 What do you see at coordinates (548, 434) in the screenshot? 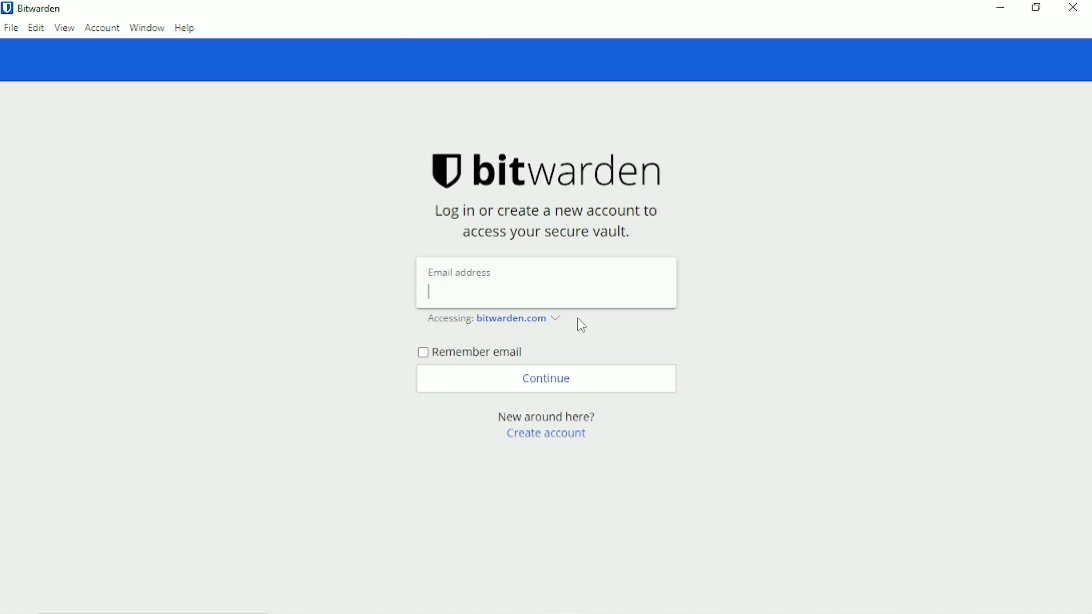
I see `Create account` at bounding box center [548, 434].